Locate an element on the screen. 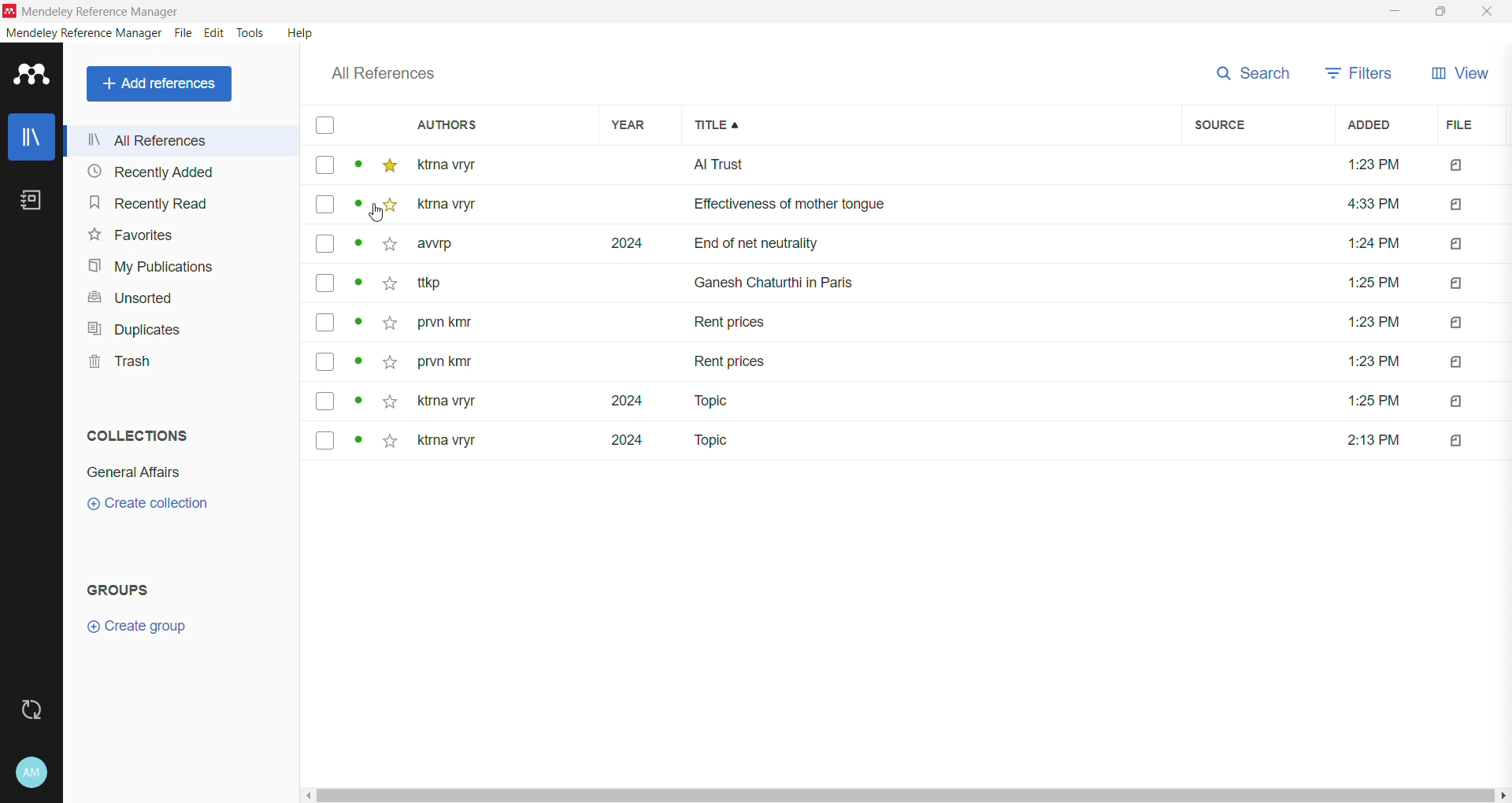 This screenshot has width=1512, height=803. dot  is located at coordinates (360, 401).